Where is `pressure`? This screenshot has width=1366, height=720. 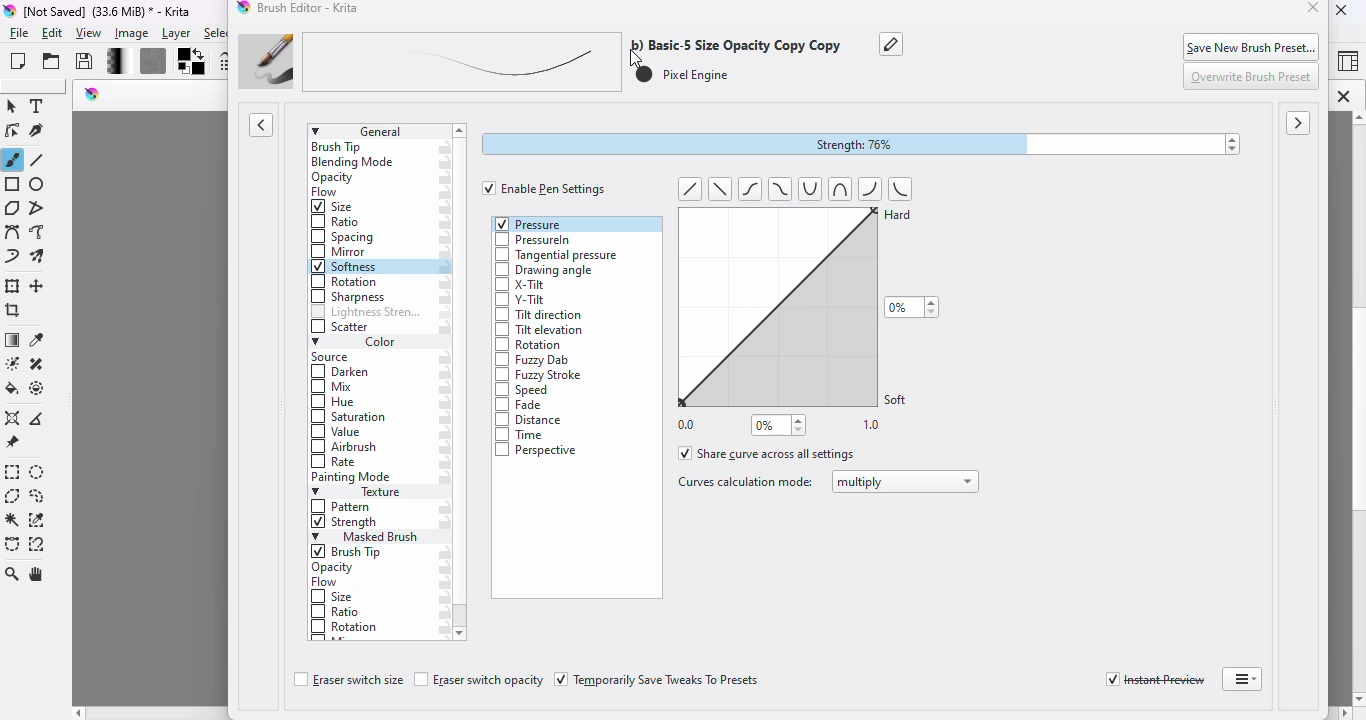
pressure is located at coordinates (530, 223).